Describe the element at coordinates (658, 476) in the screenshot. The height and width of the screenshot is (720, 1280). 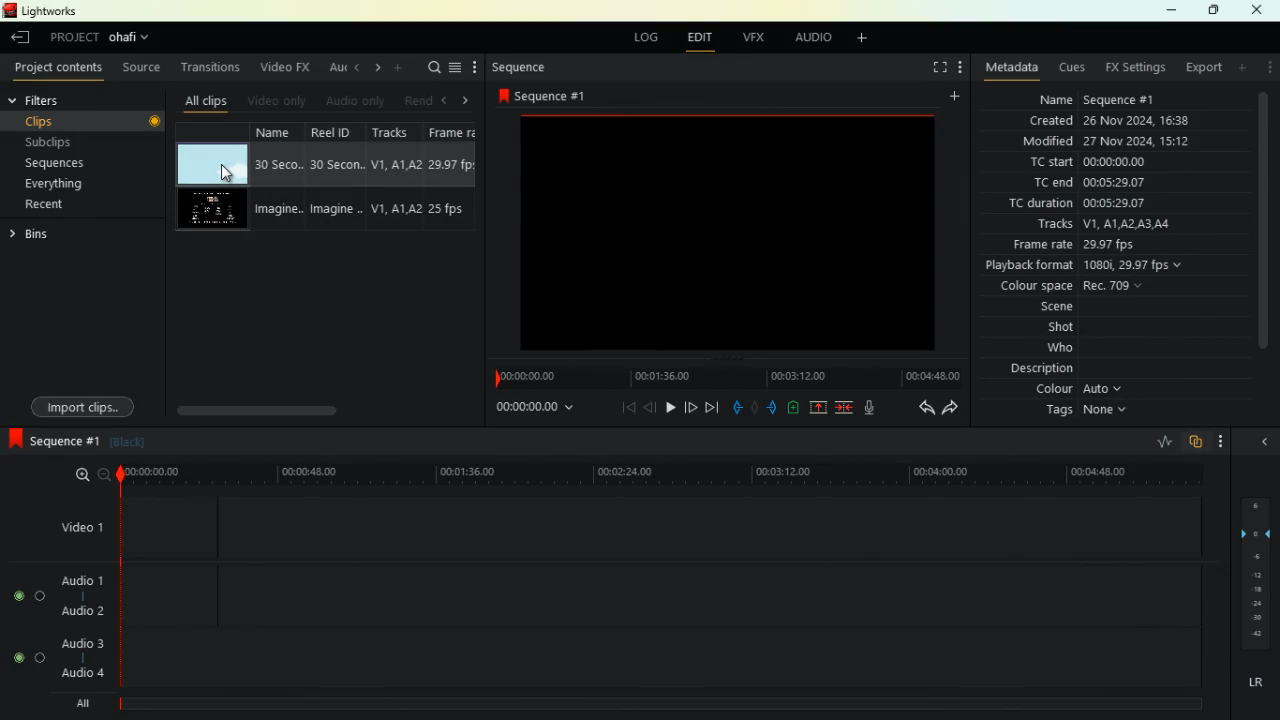
I see `timeline` at that location.